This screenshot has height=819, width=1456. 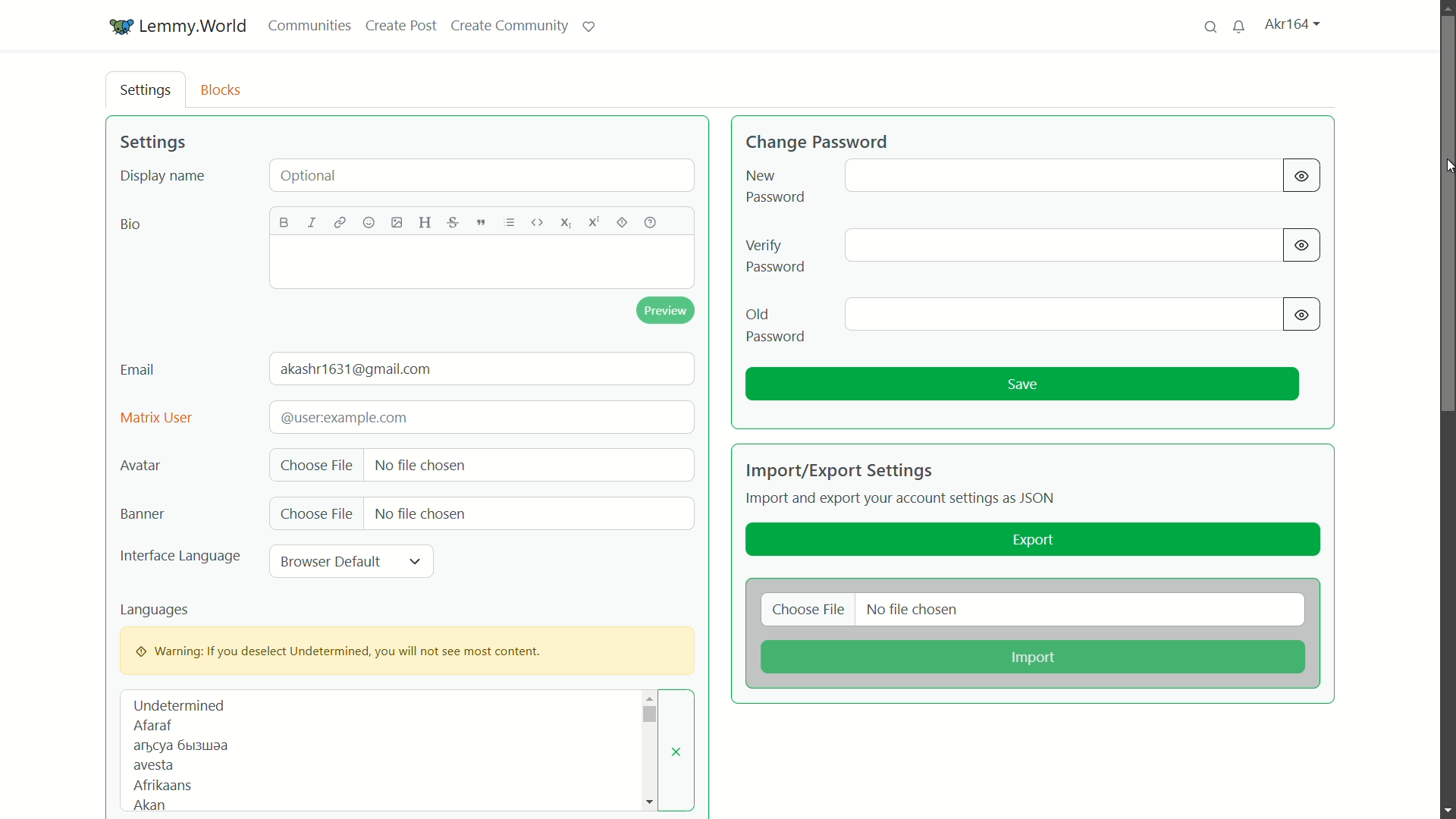 What do you see at coordinates (509, 26) in the screenshot?
I see `create community` at bounding box center [509, 26].